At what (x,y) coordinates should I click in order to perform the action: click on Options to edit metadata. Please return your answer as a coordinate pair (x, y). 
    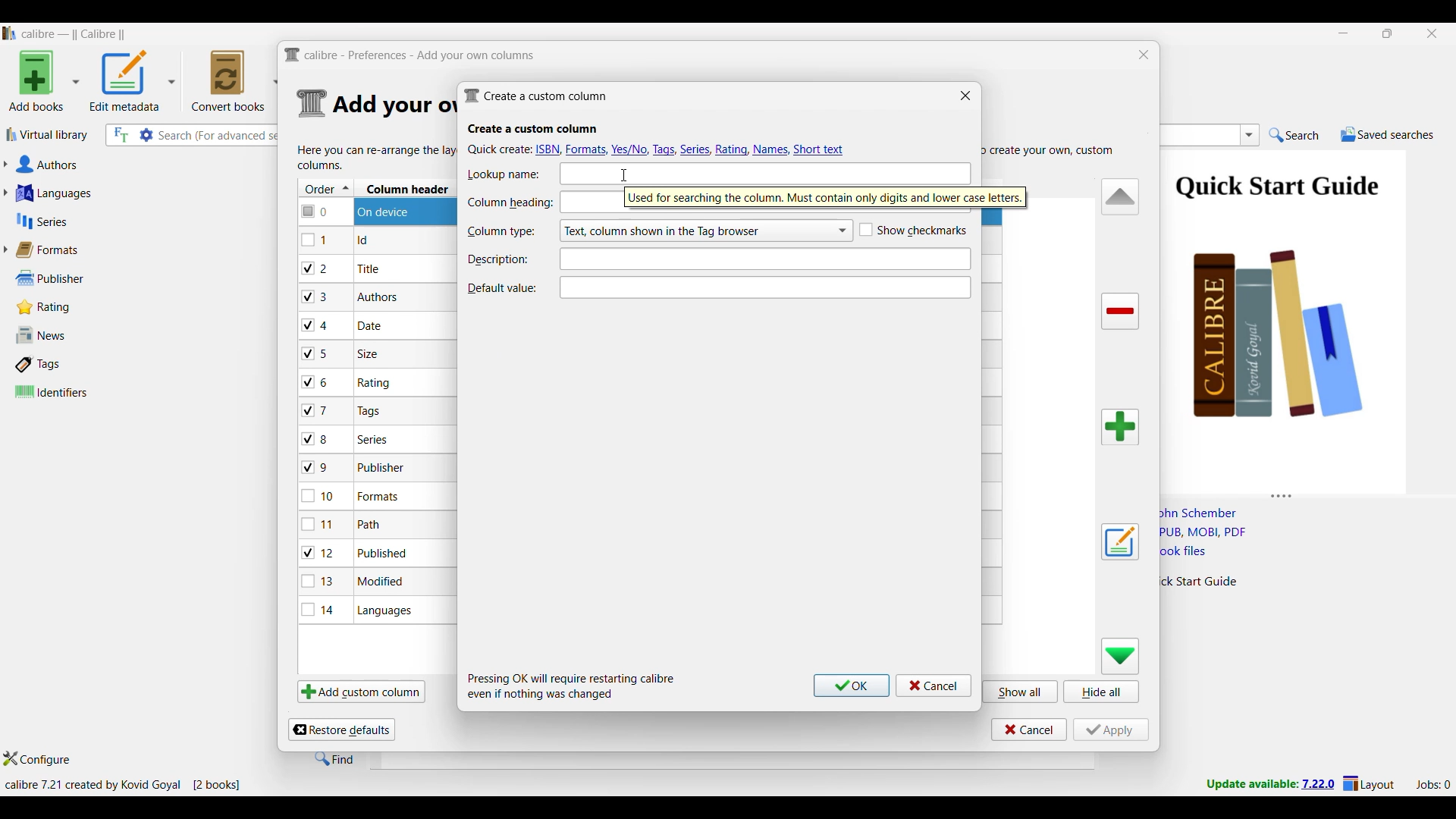
    Looking at the image, I should click on (133, 80).